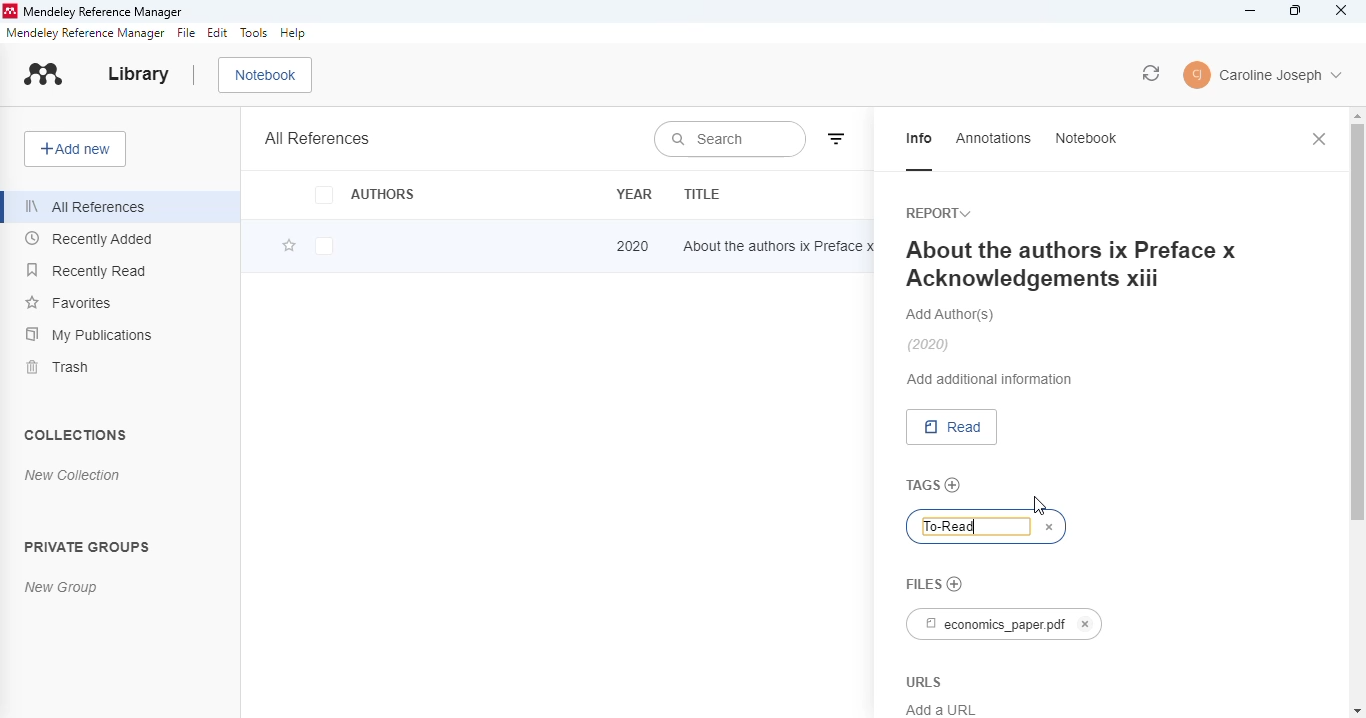 This screenshot has height=718, width=1366. I want to click on cancel, so click(1049, 527).